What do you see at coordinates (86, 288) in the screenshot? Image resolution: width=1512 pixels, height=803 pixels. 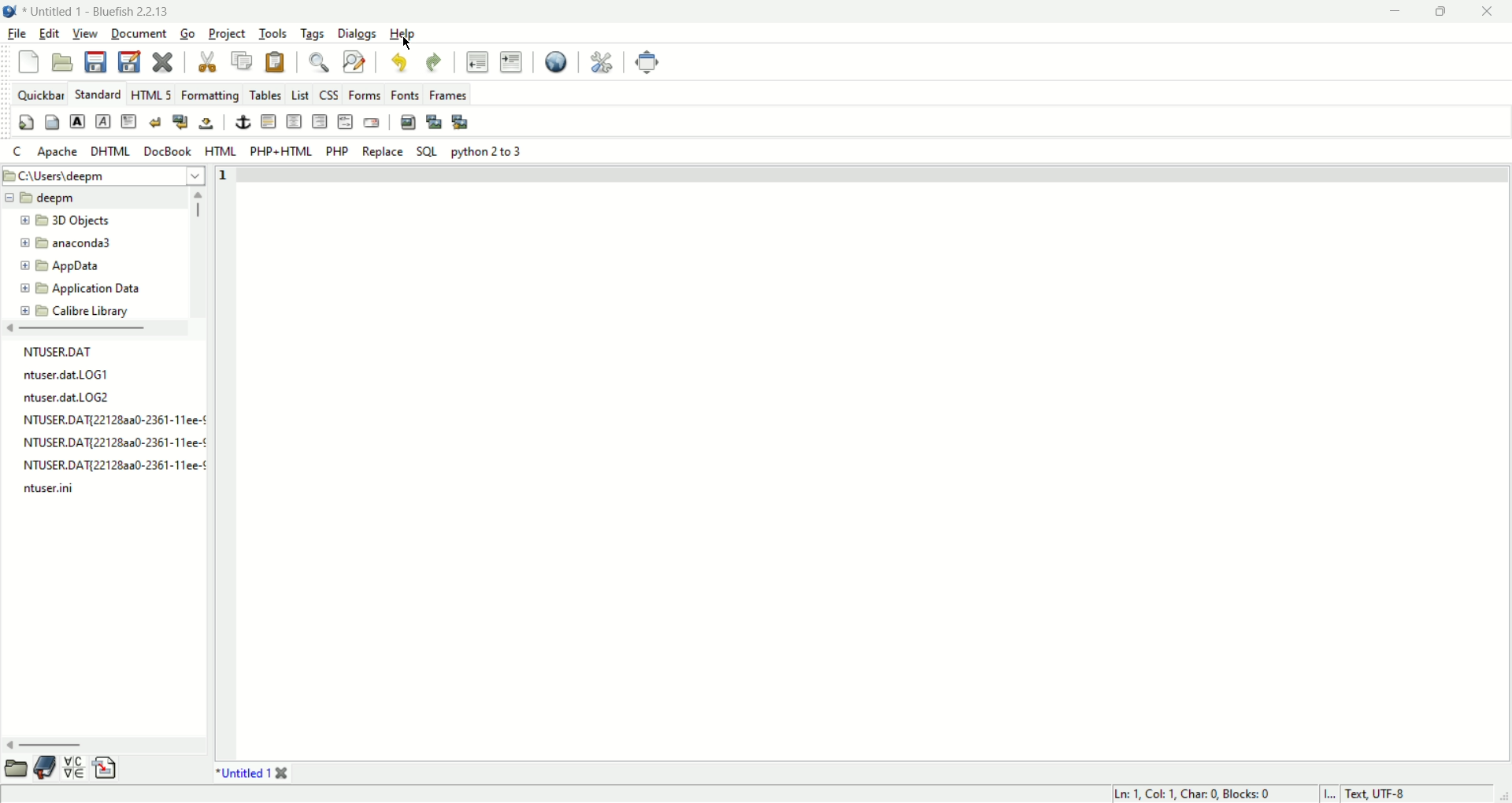 I see `folder name` at bounding box center [86, 288].